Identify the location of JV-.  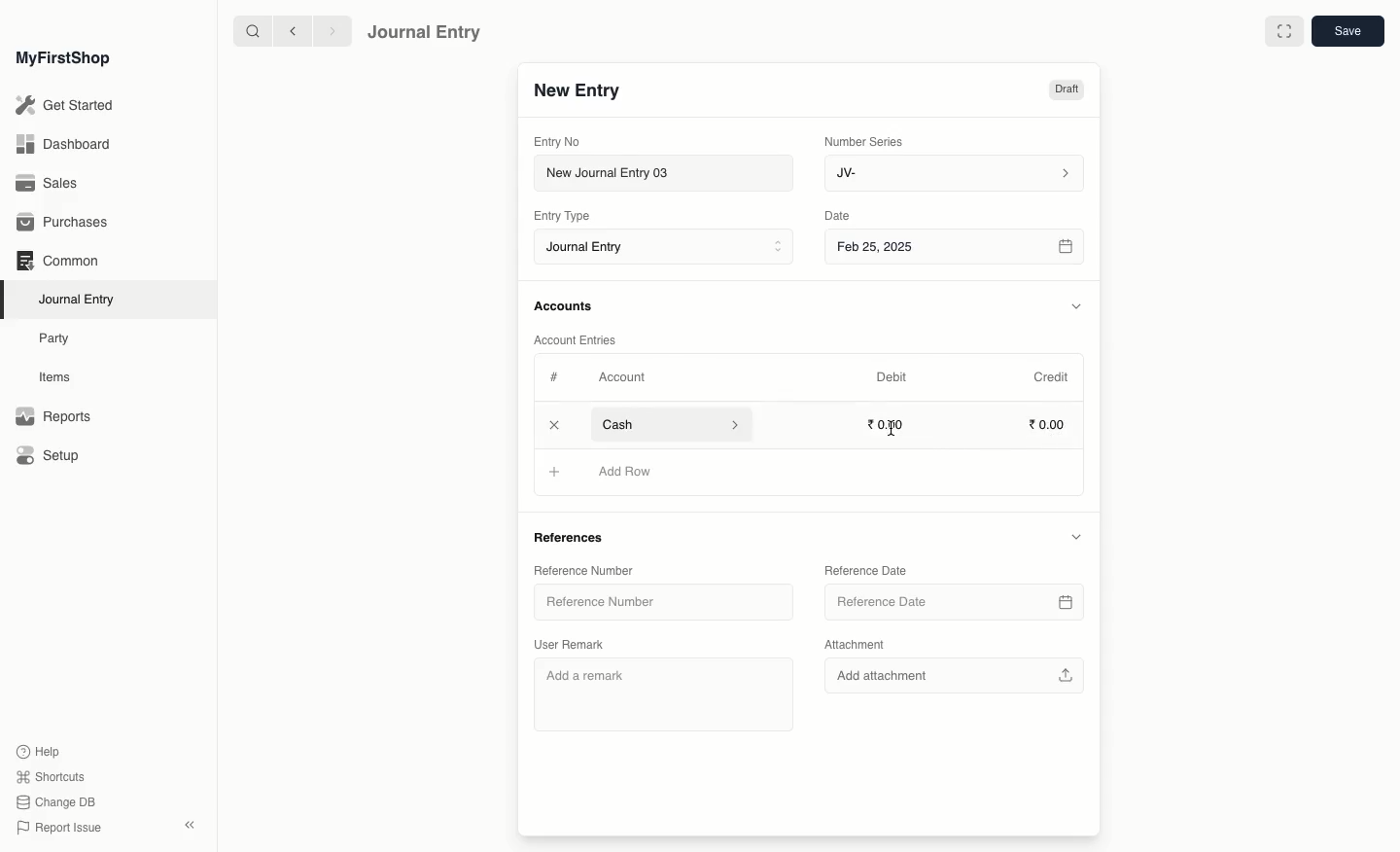
(952, 173).